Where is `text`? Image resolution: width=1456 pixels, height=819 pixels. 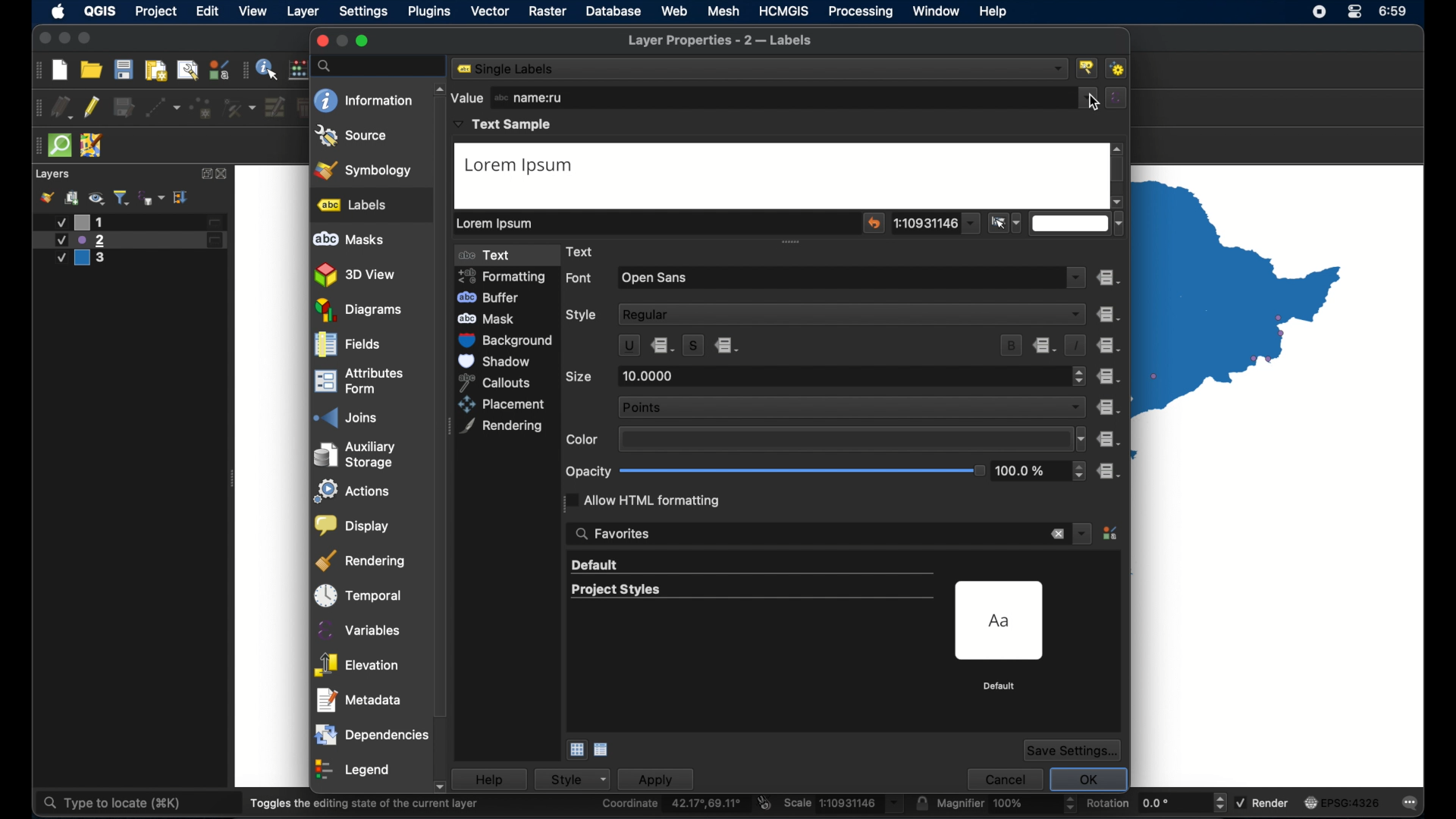 text is located at coordinates (492, 256).